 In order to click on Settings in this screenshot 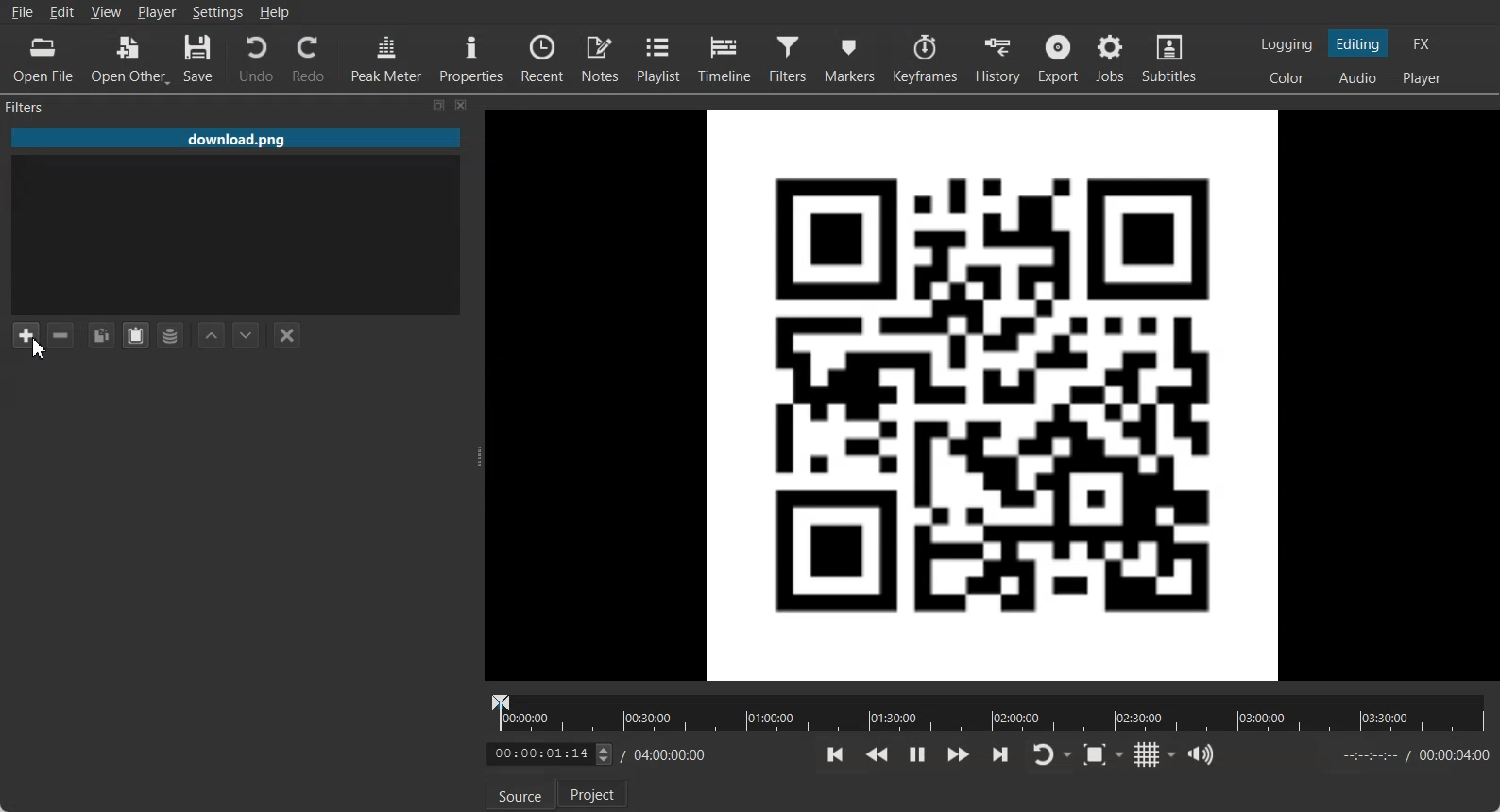, I will do `click(218, 12)`.